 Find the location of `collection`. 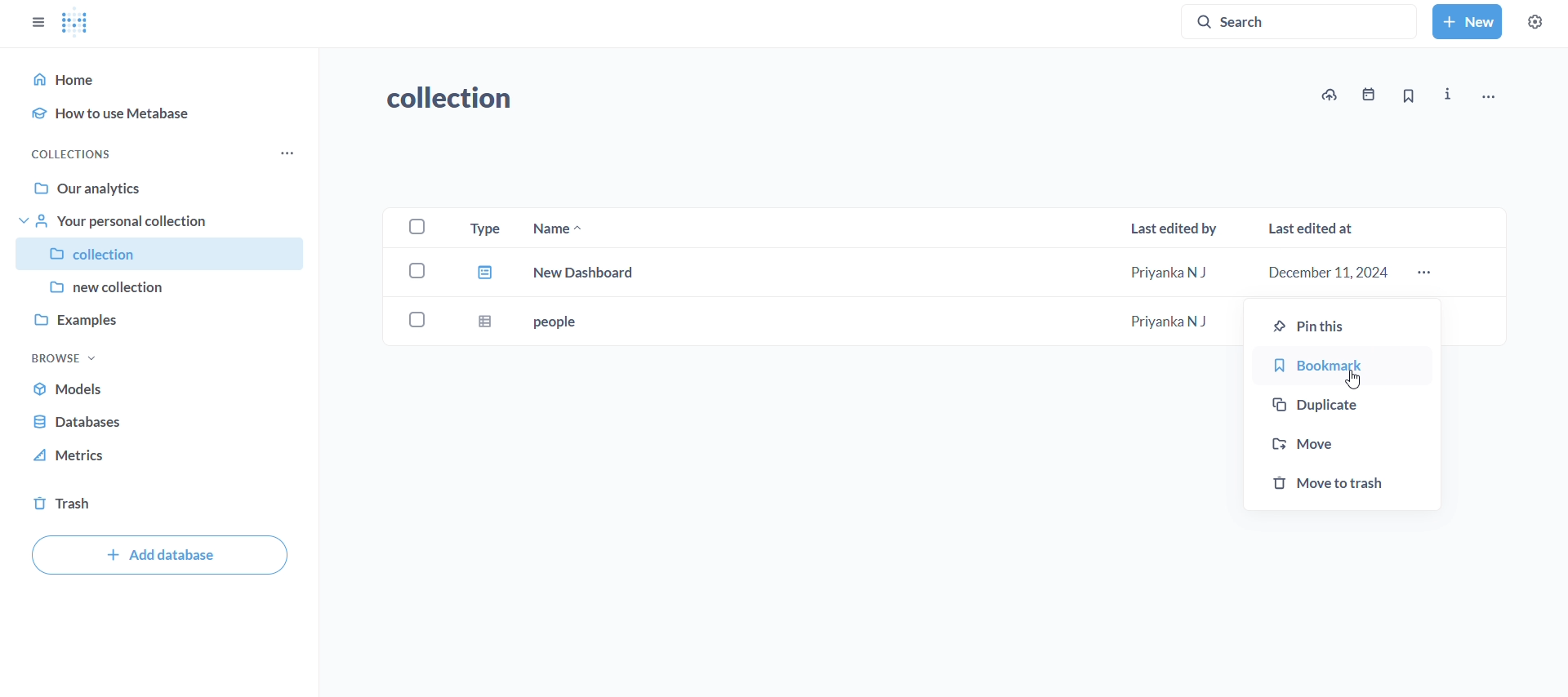

collection is located at coordinates (162, 254).